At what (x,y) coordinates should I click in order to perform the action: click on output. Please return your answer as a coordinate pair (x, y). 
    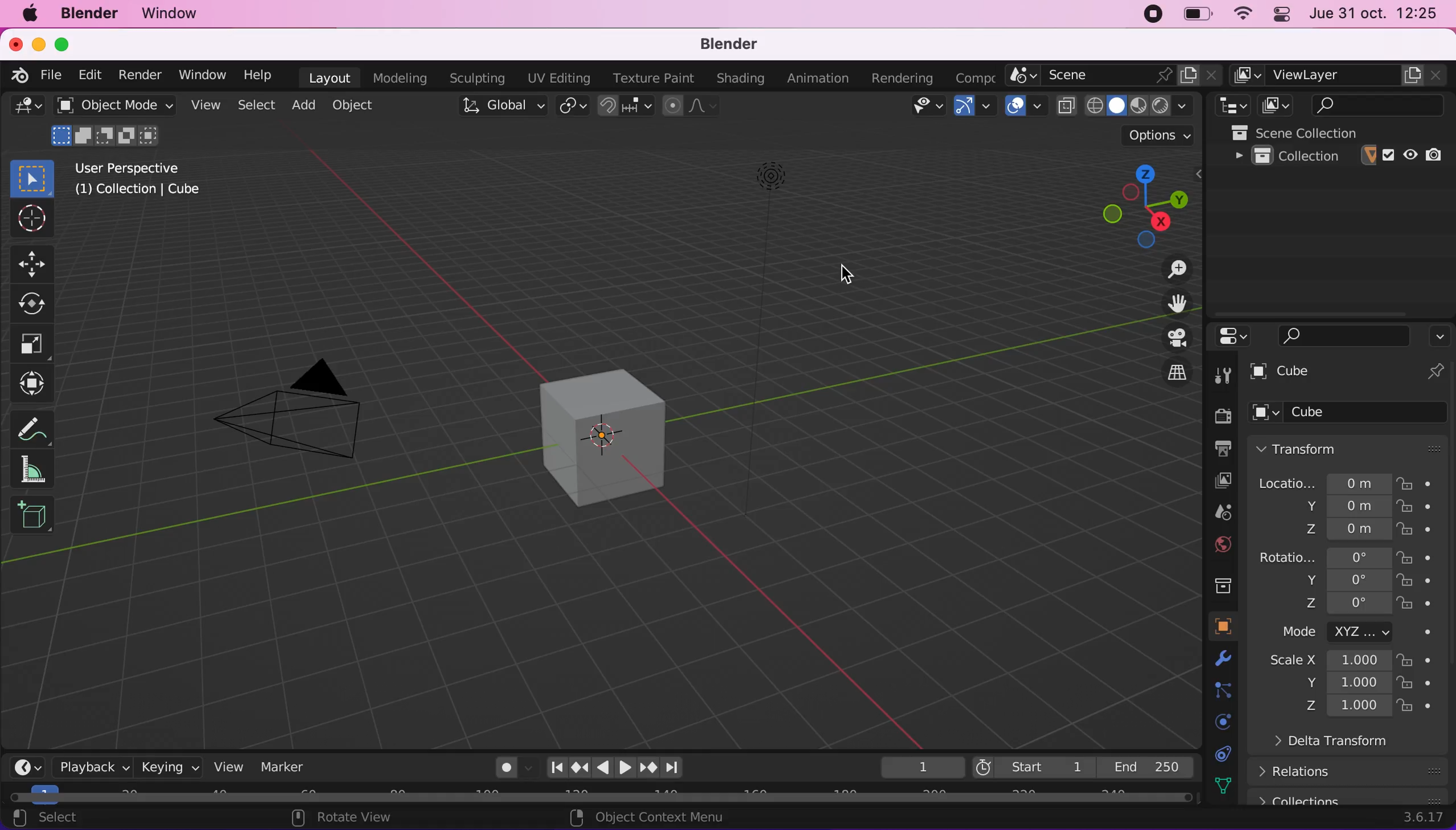
    Looking at the image, I should click on (1217, 449).